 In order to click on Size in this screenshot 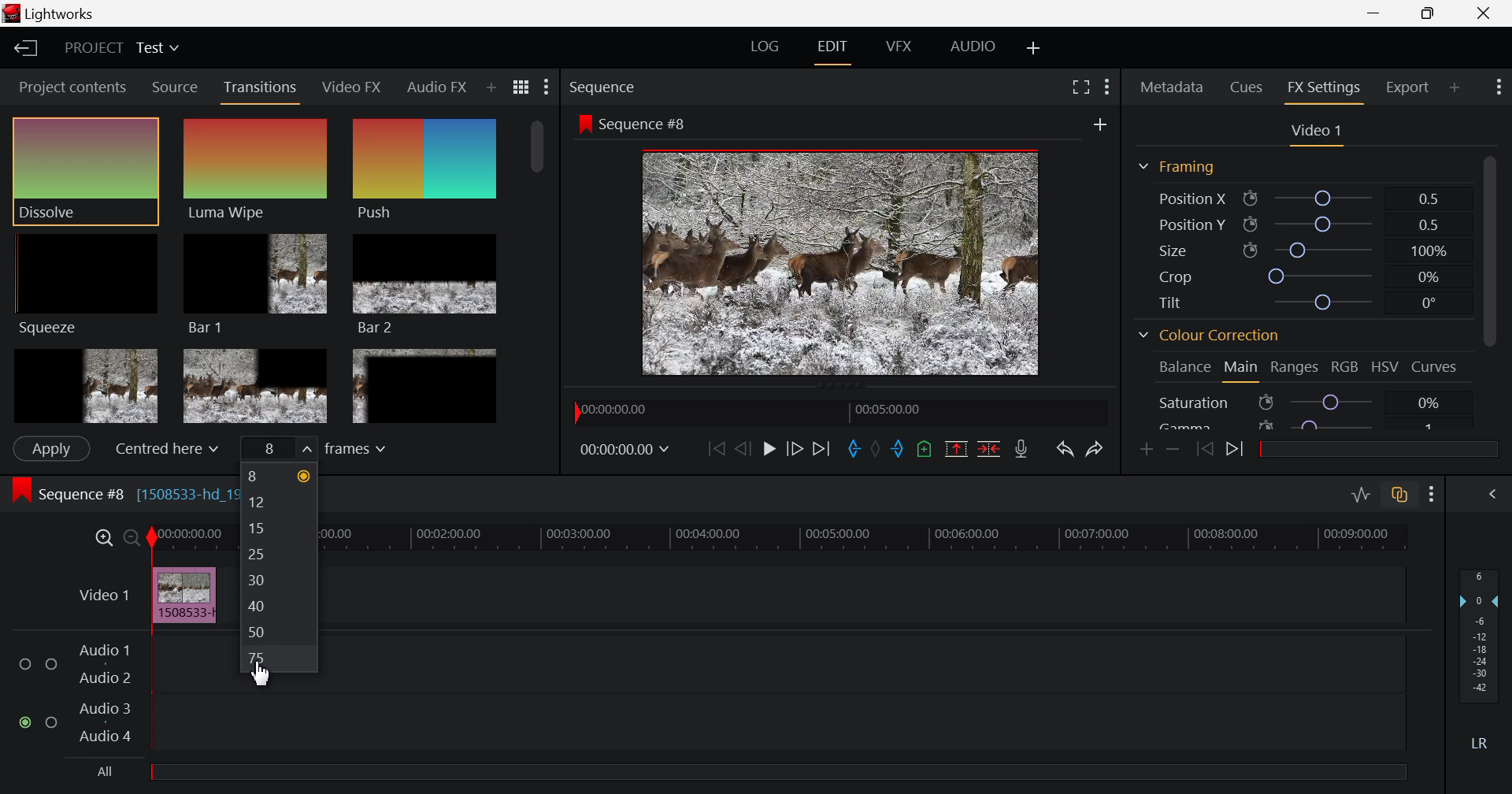, I will do `click(1299, 248)`.